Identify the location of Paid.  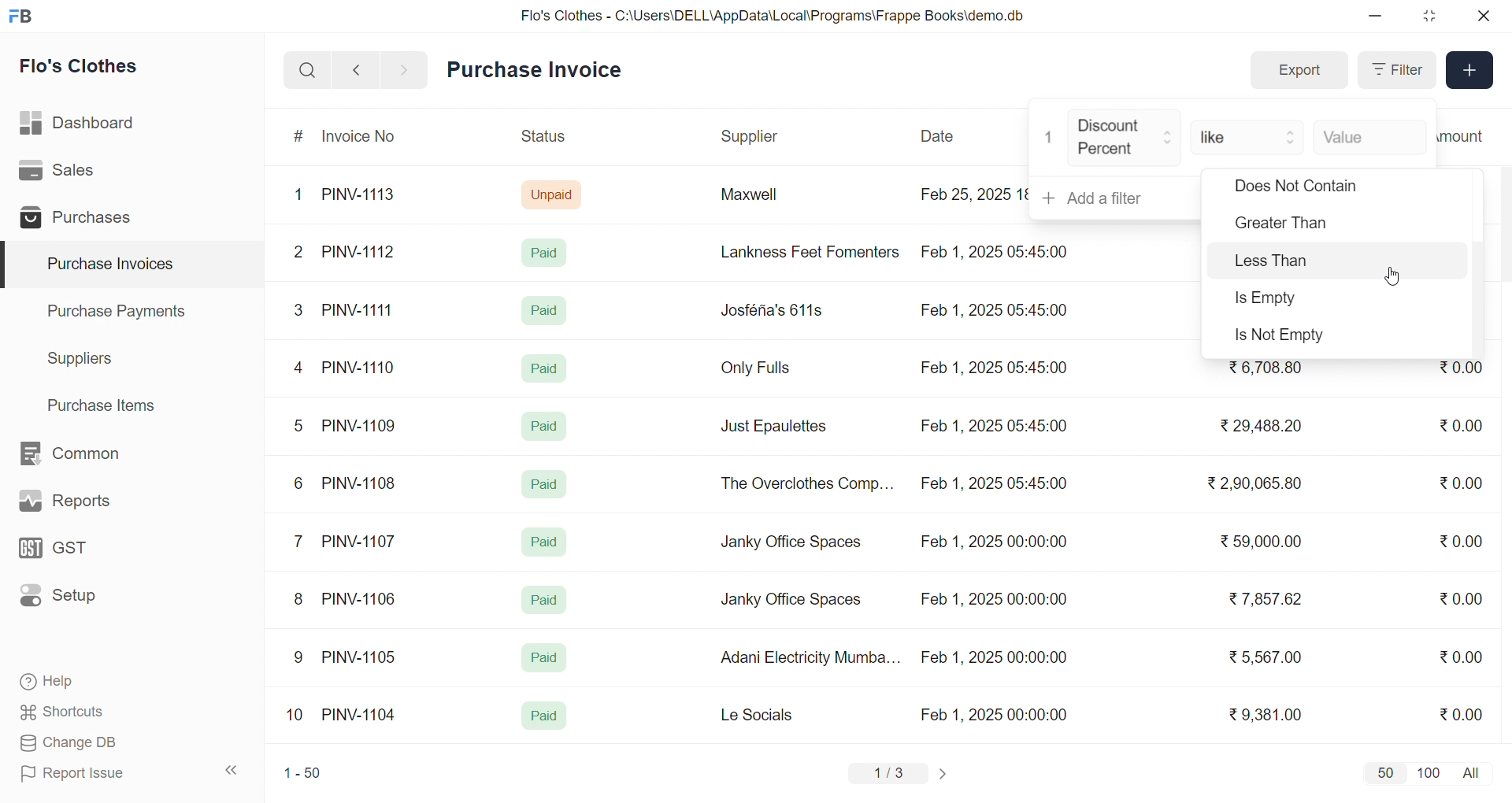
(545, 542).